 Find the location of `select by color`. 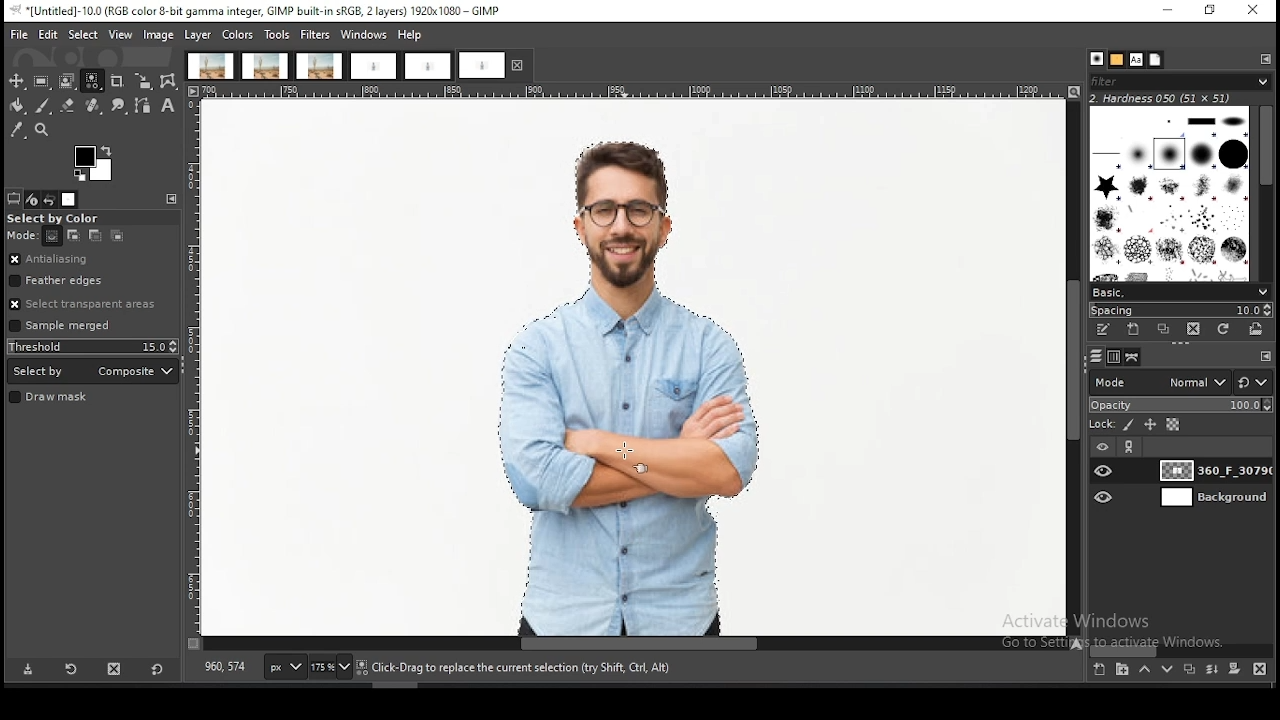

select by color is located at coordinates (59, 219).